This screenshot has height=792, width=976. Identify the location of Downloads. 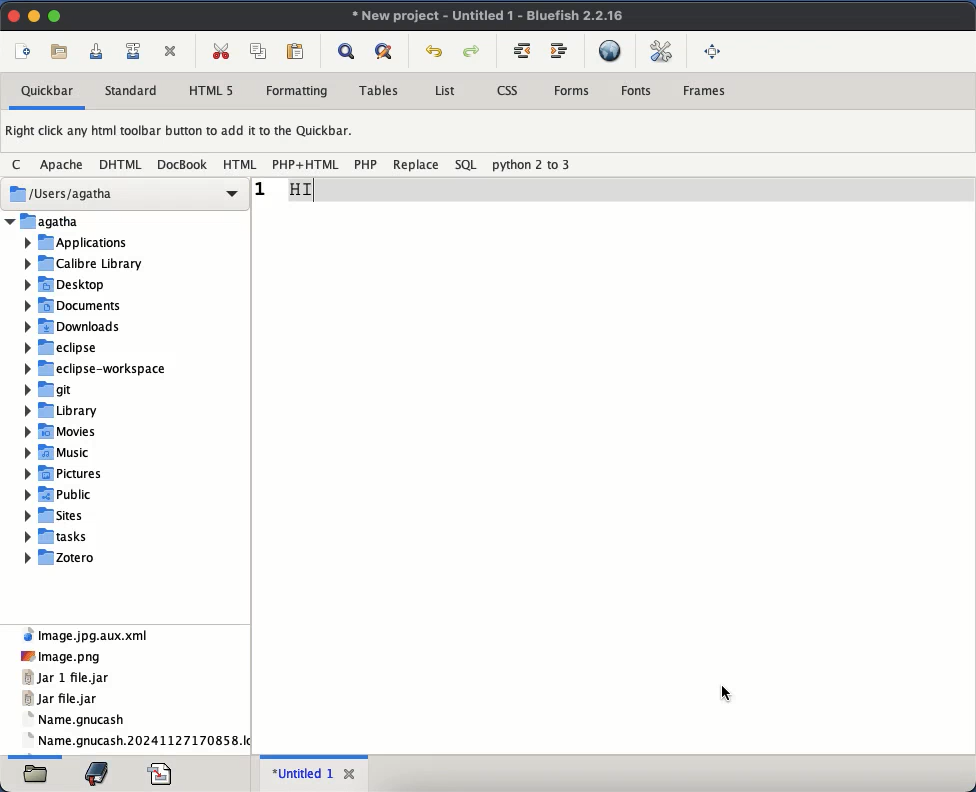
(74, 326).